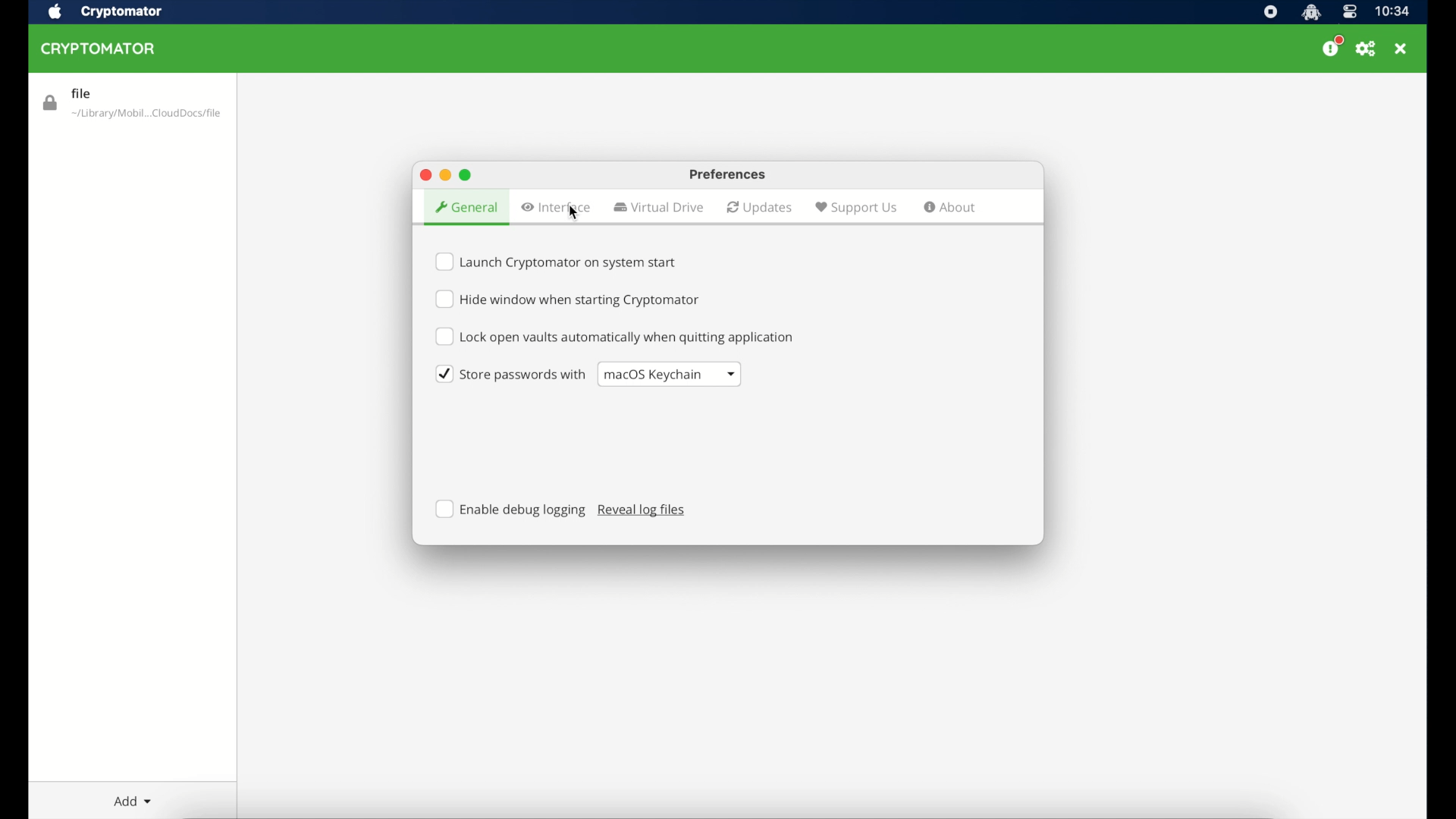  Describe the element at coordinates (133, 105) in the screenshot. I see `vault` at that location.